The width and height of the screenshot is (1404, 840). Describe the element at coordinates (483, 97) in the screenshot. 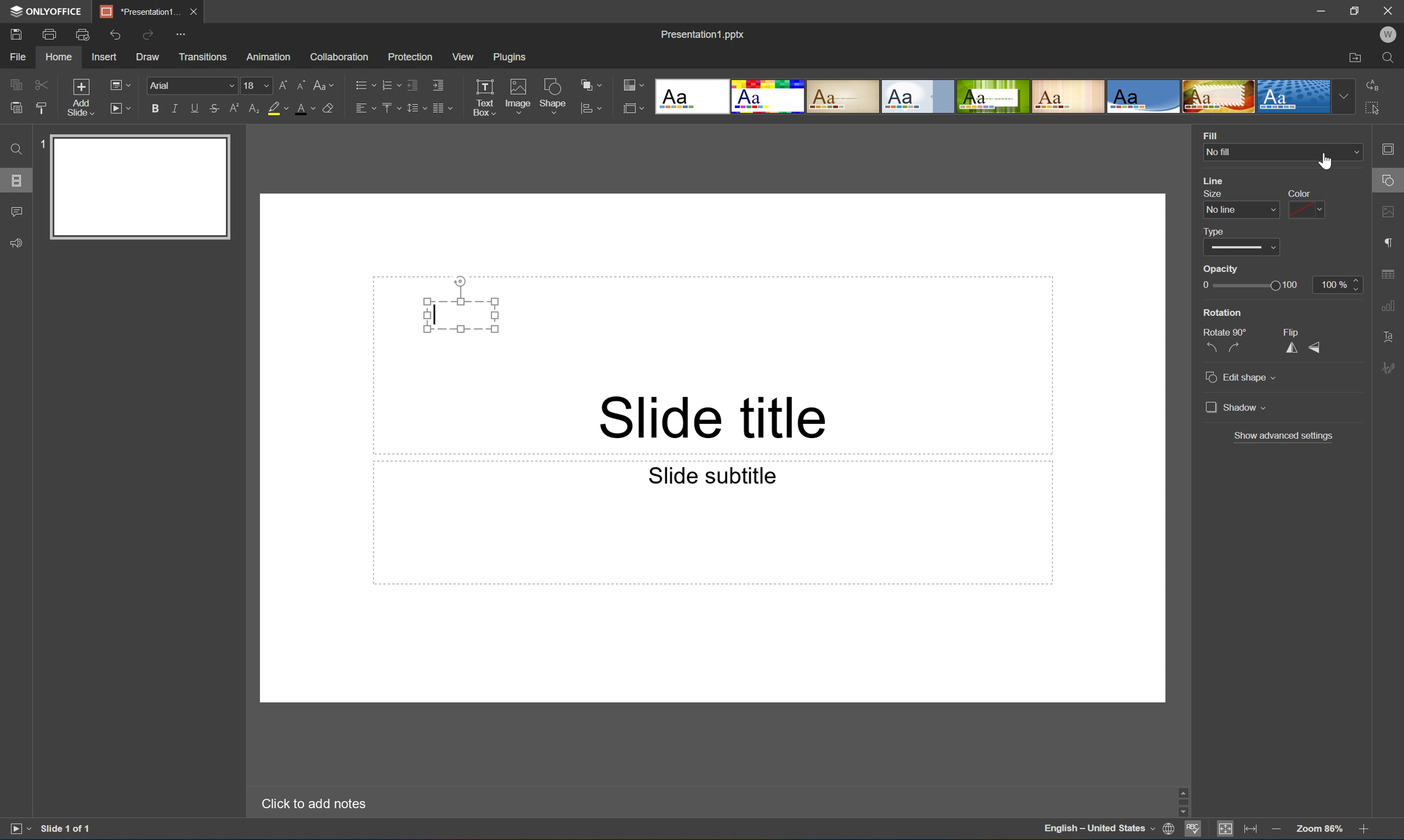

I see `Text Box` at that location.